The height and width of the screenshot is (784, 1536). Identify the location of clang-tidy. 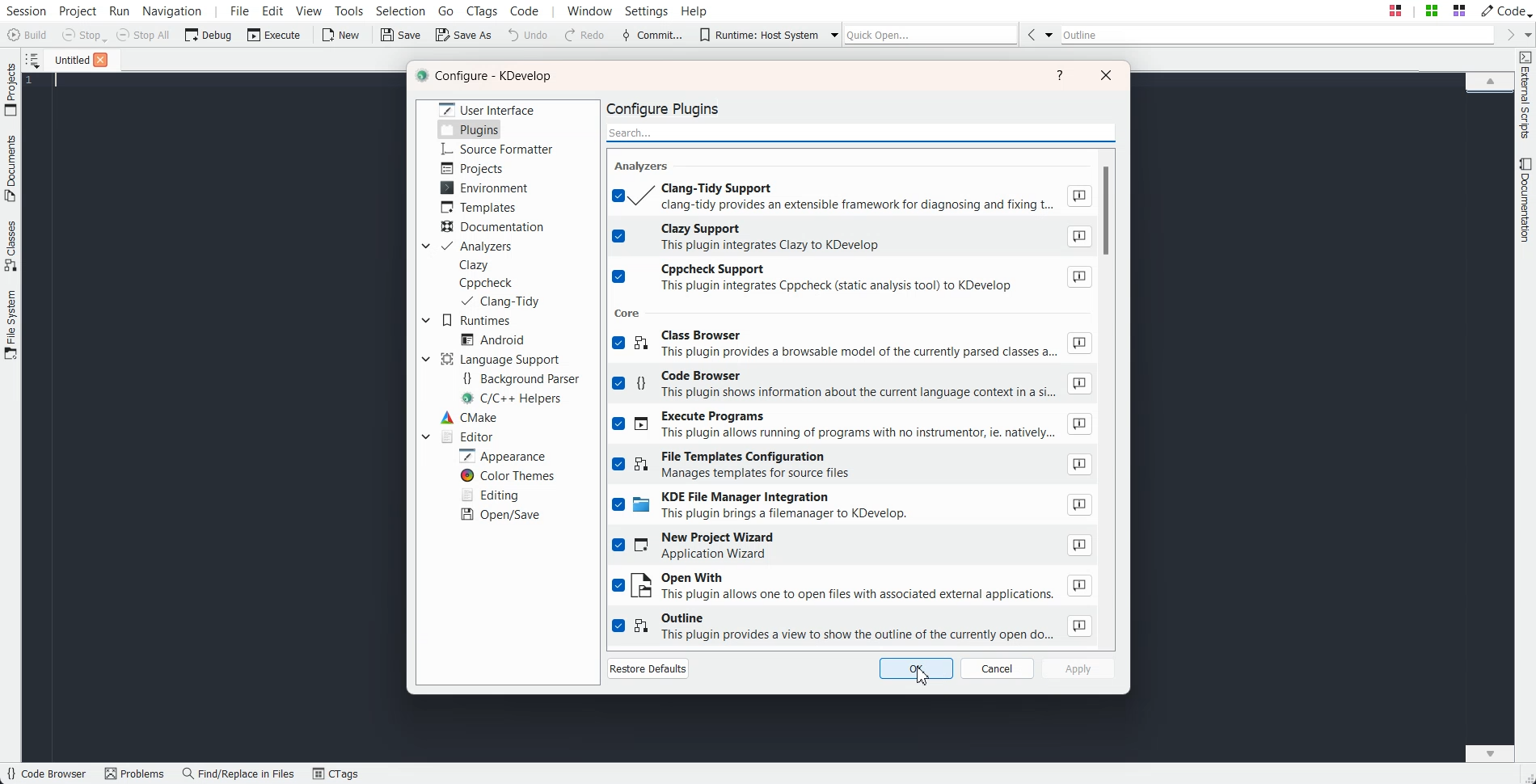
(499, 301).